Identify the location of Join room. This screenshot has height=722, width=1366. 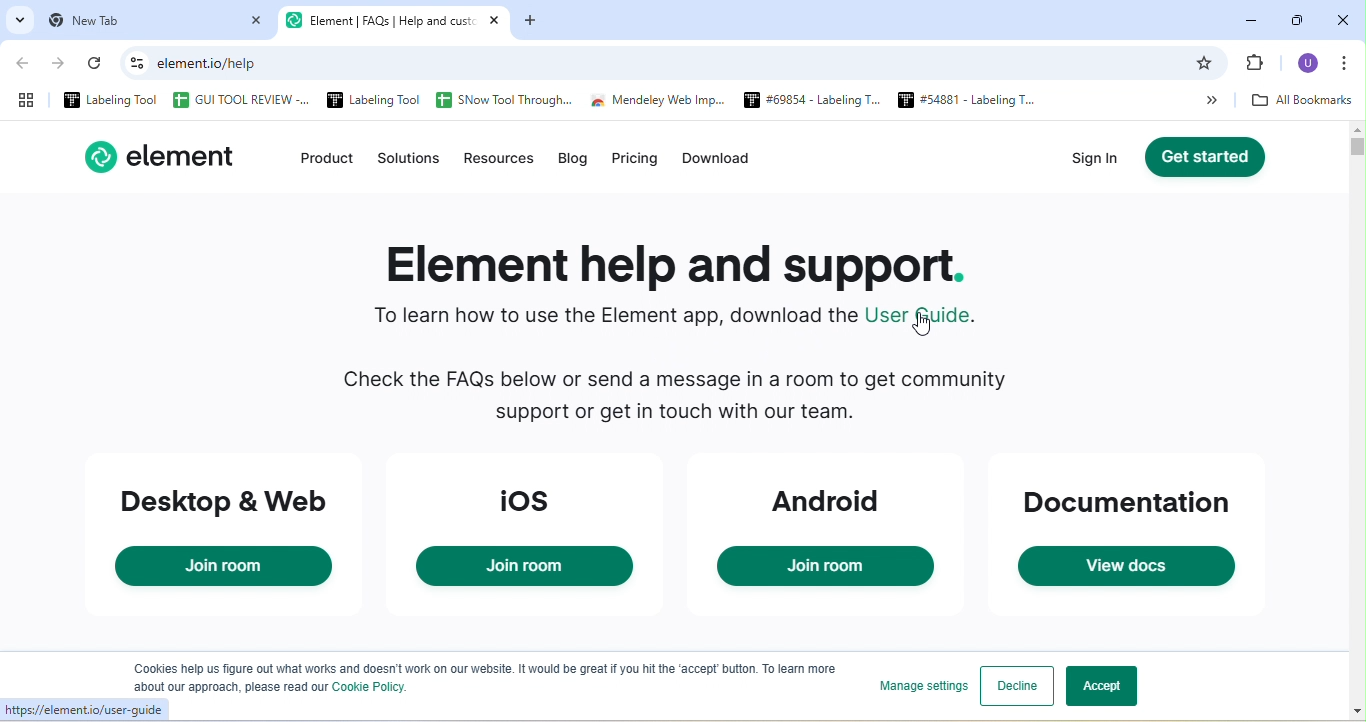
(210, 567).